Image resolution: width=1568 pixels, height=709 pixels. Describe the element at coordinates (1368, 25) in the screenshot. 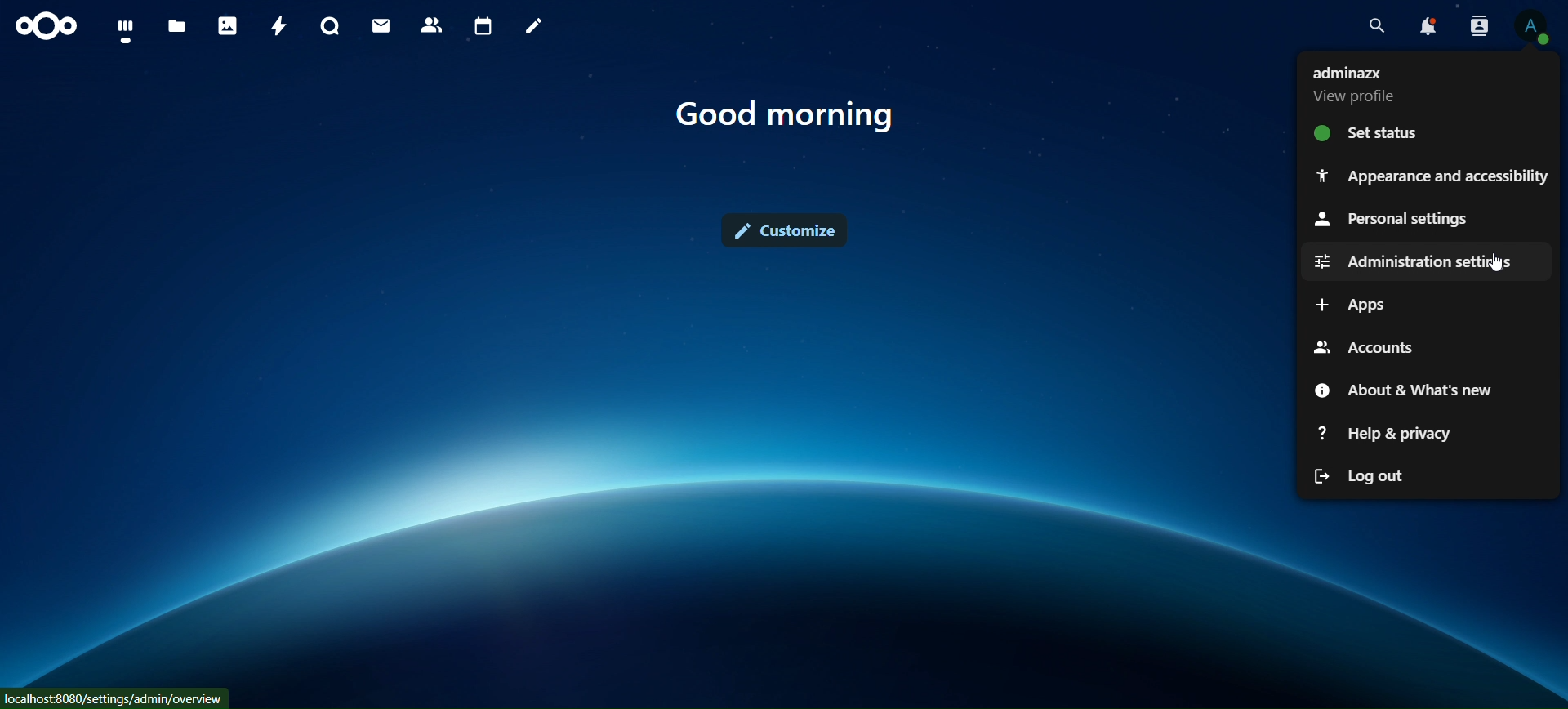

I see `search` at that location.